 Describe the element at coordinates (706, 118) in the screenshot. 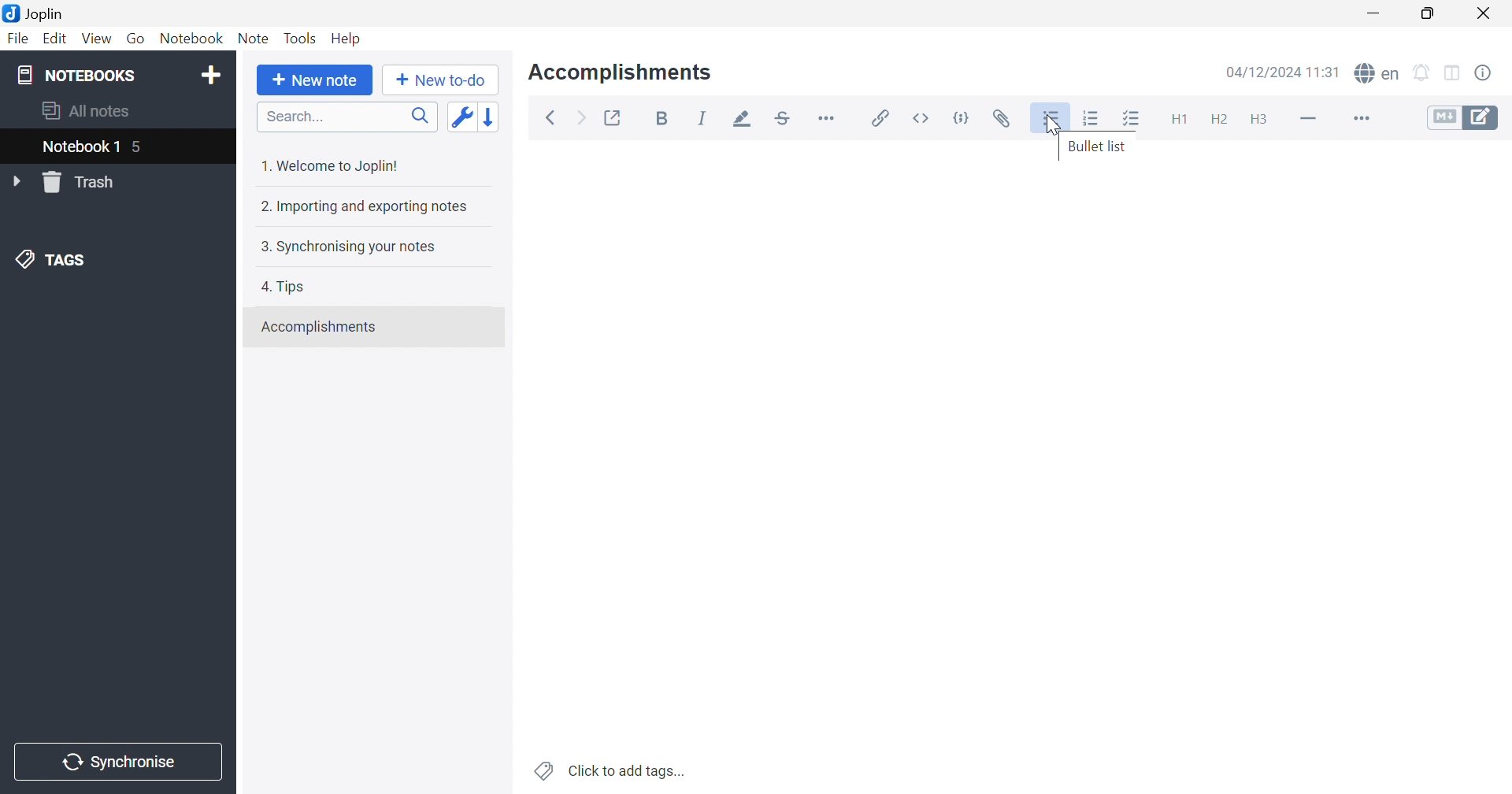

I see `Italic` at that location.